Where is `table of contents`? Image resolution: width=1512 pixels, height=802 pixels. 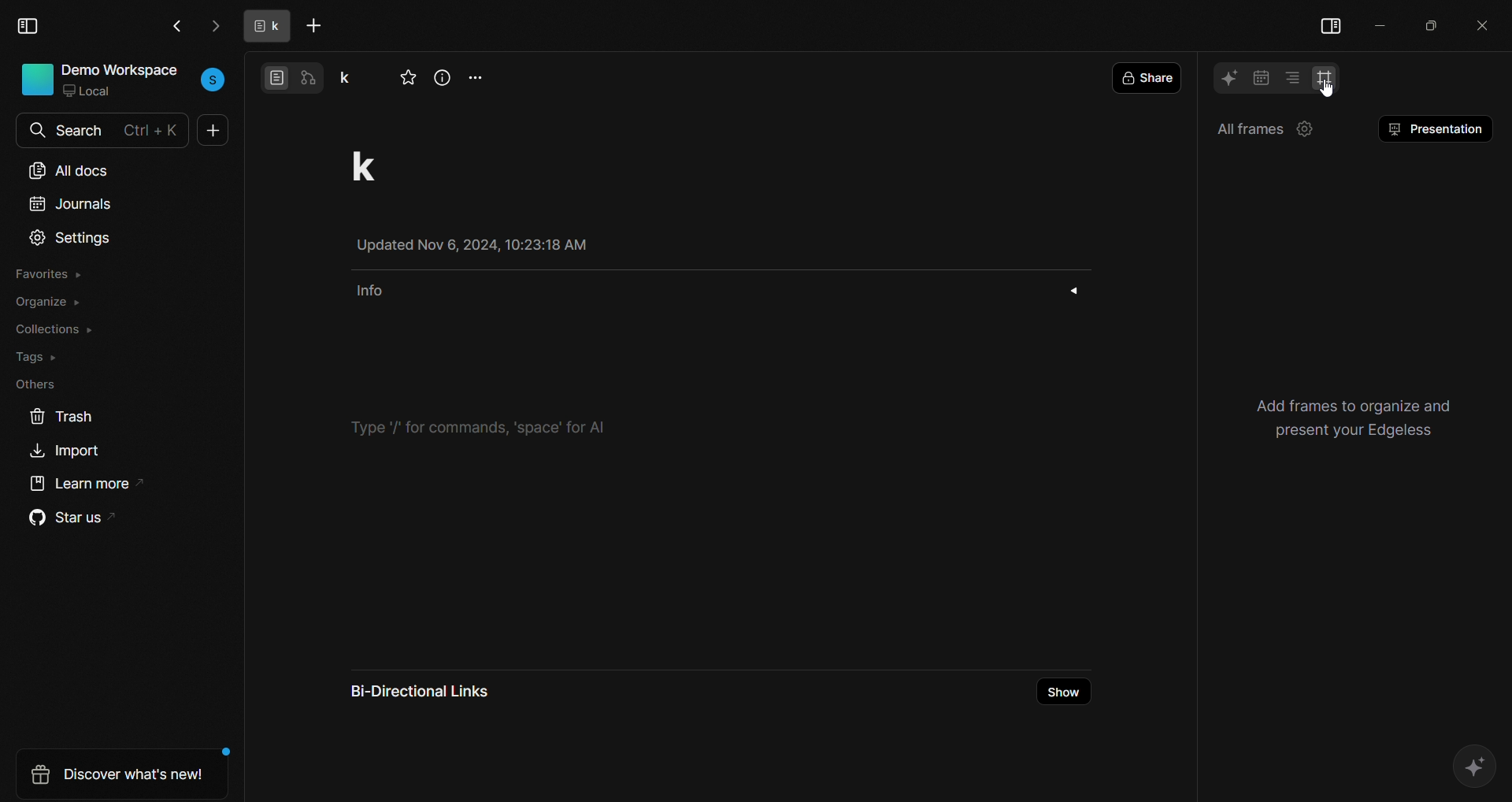
table of contents is located at coordinates (1293, 76).